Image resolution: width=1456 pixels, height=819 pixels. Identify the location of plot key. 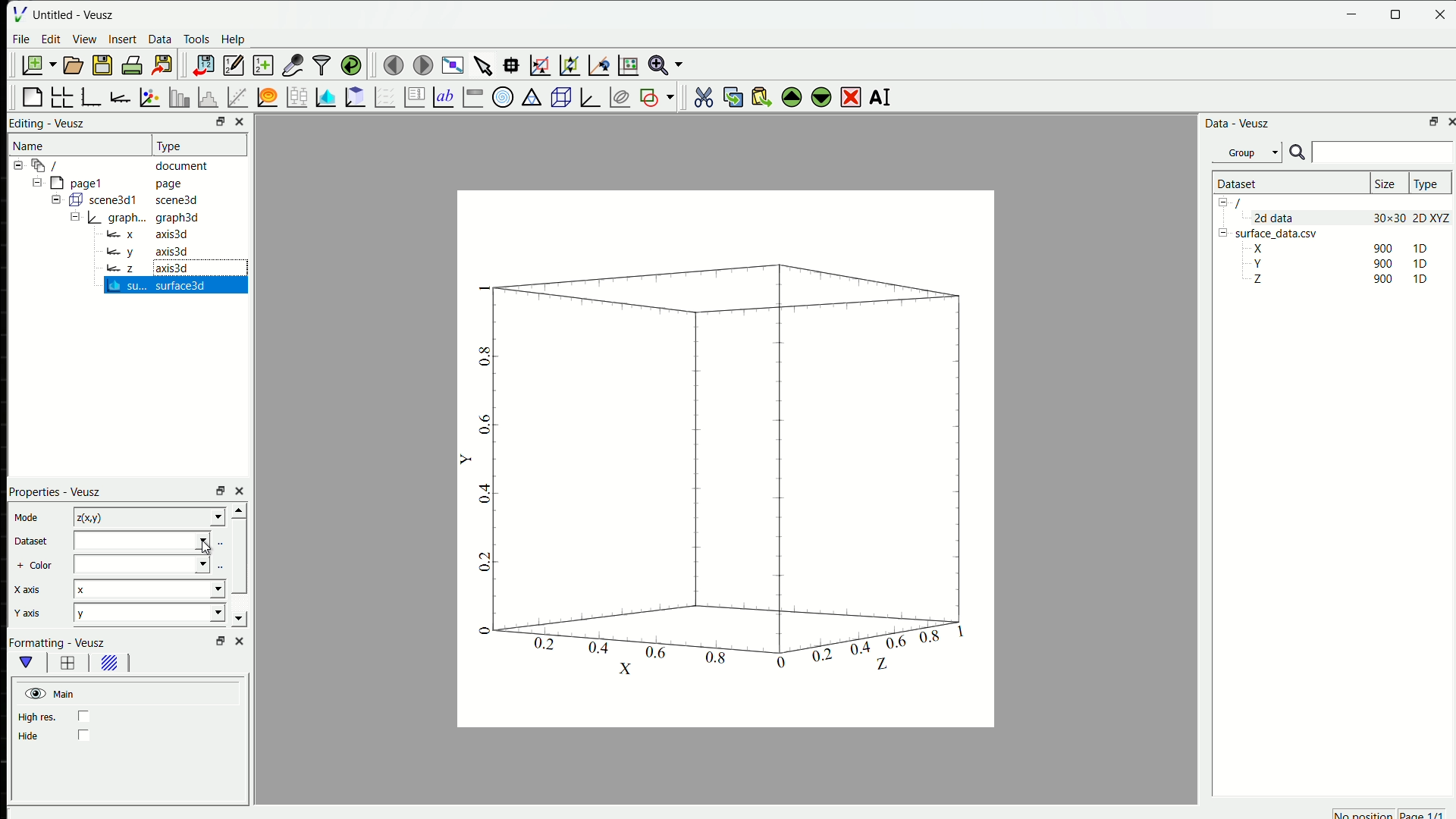
(416, 97).